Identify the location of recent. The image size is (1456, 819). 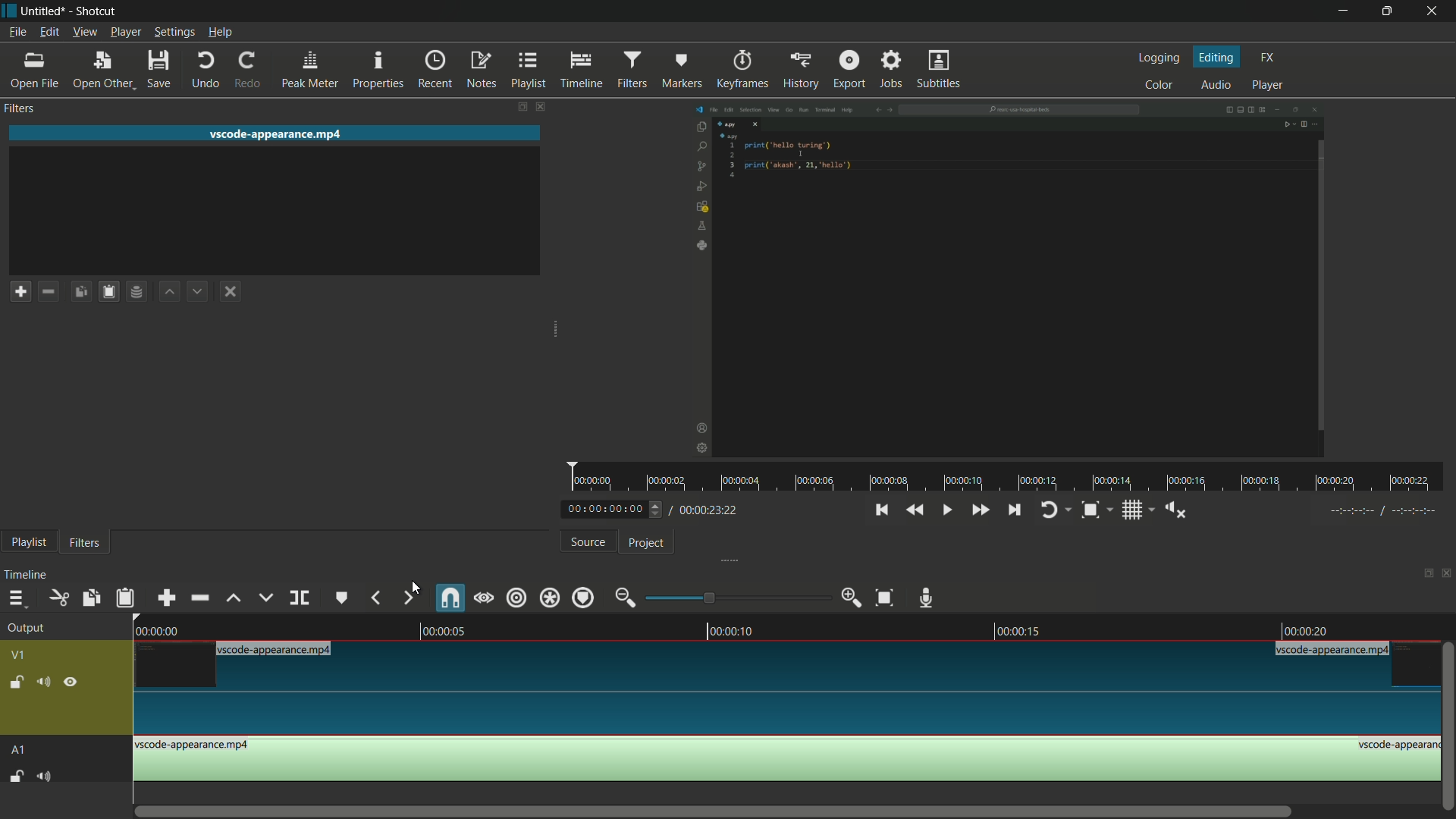
(436, 70).